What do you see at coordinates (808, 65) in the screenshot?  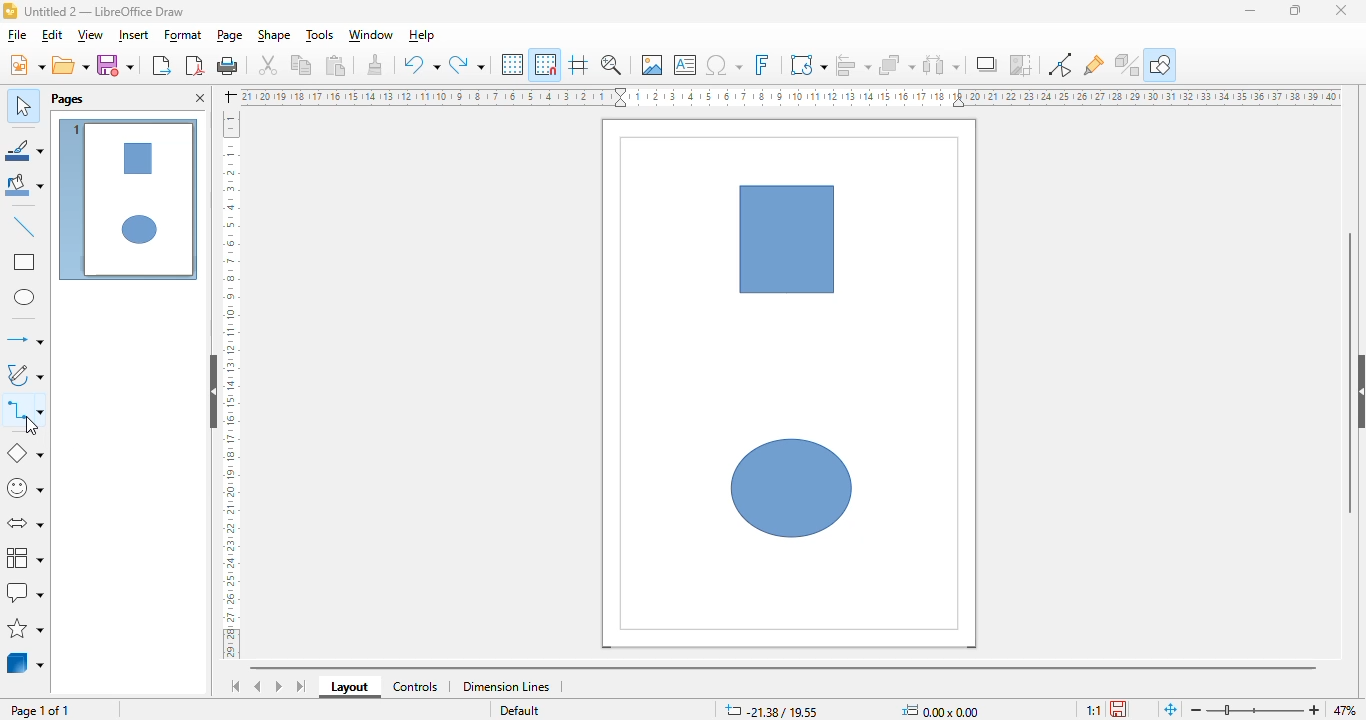 I see `transformations` at bounding box center [808, 65].